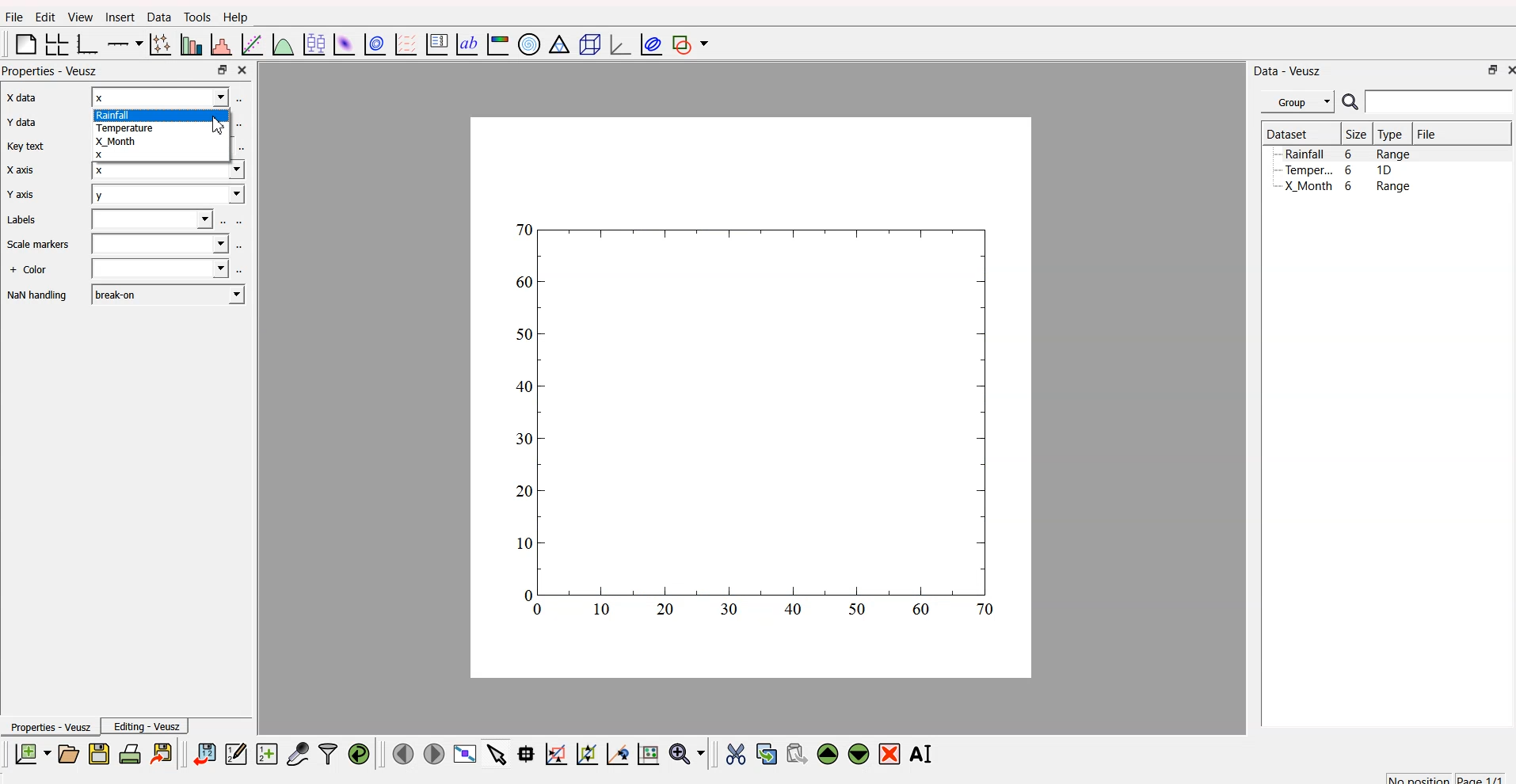 The height and width of the screenshot is (784, 1516). I want to click on histogram of dataset, so click(223, 45).